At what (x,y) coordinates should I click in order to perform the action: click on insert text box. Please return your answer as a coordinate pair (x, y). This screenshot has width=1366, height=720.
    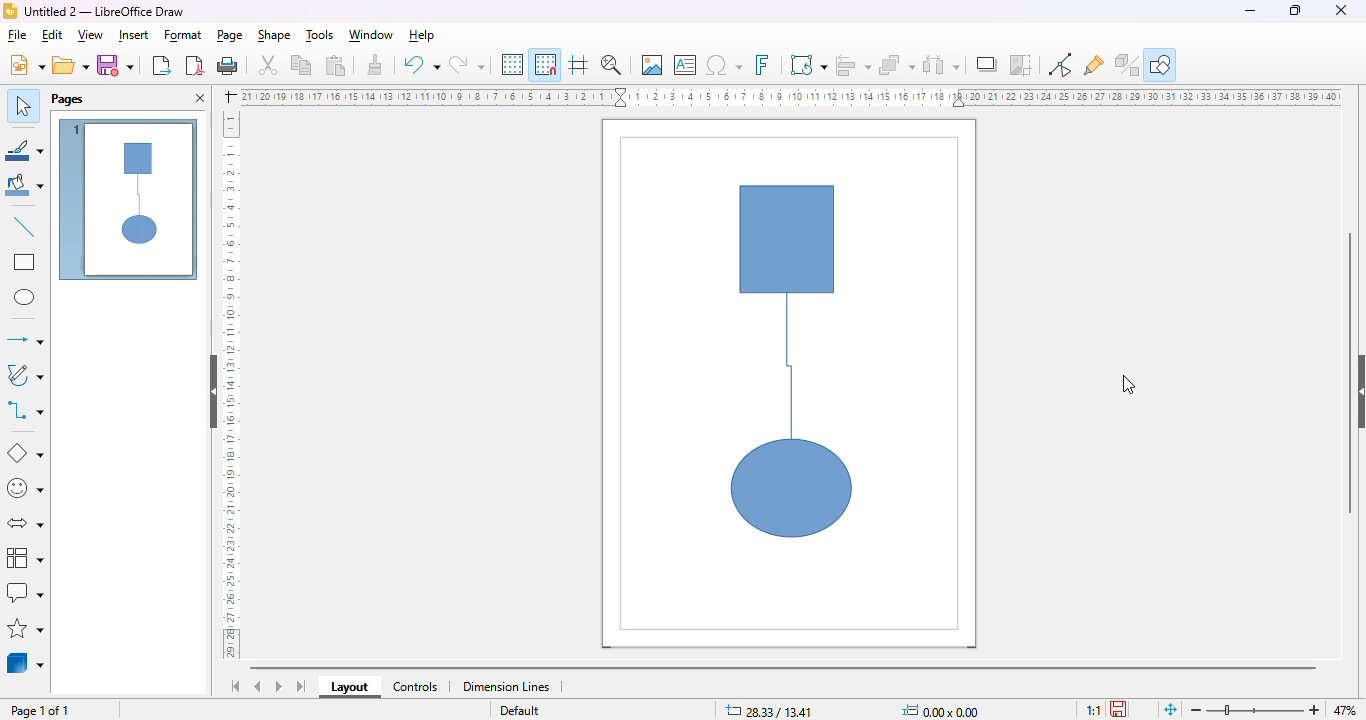
    Looking at the image, I should click on (685, 64).